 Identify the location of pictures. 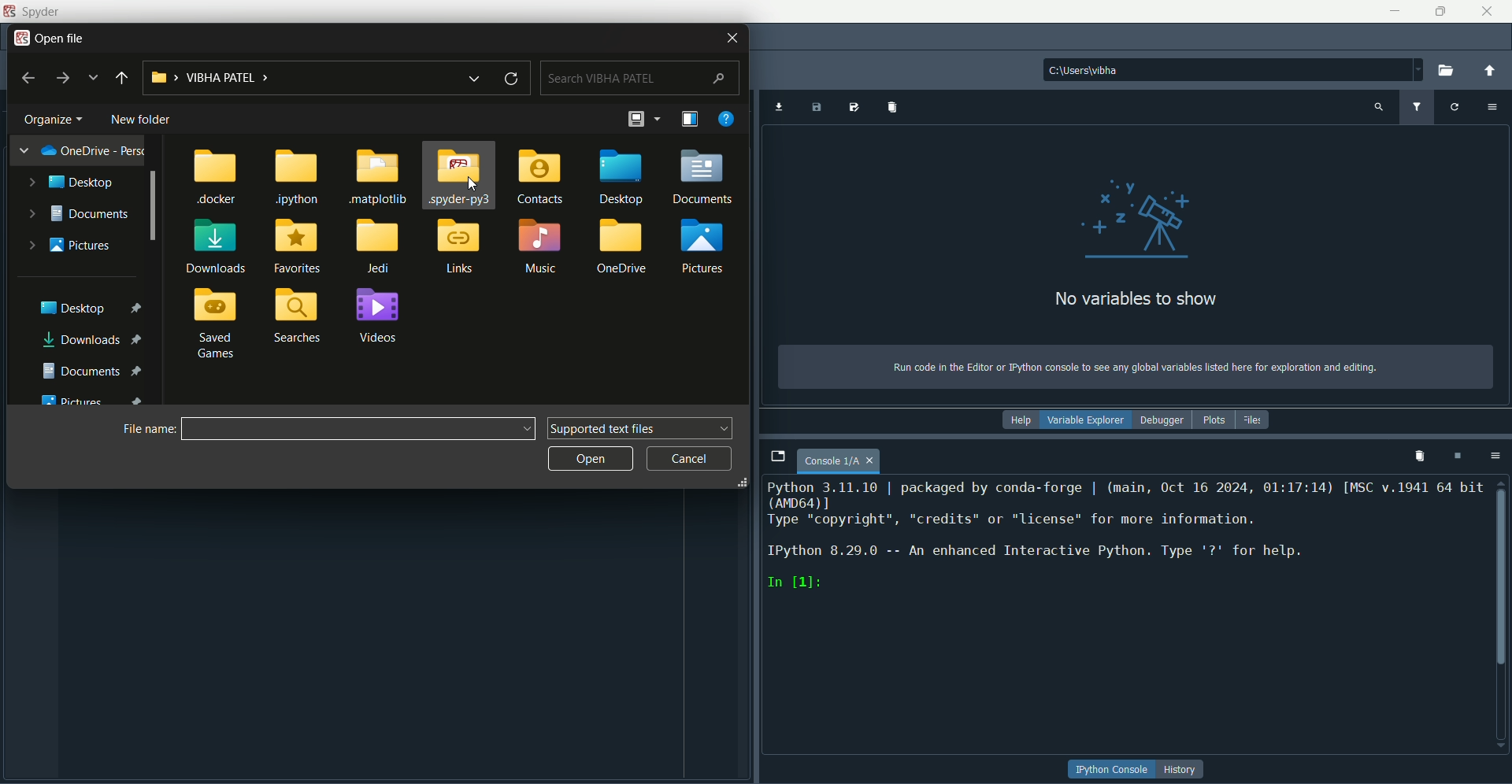
(72, 244).